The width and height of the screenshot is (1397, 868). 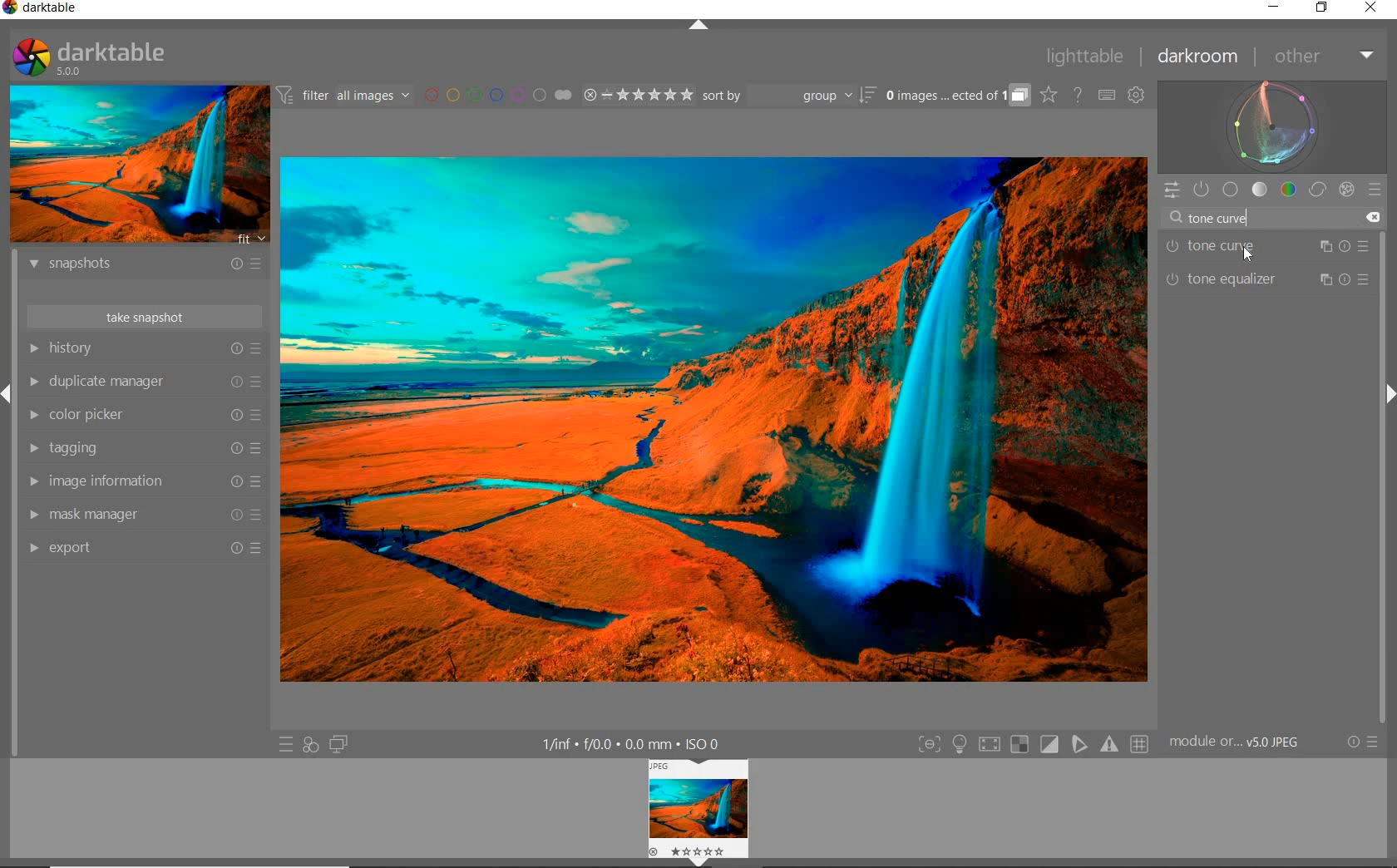 I want to click on CLICK TO CHANGE THE OVERLAYS SHOWN ON THUMBNAILS, so click(x=1049, y=95).